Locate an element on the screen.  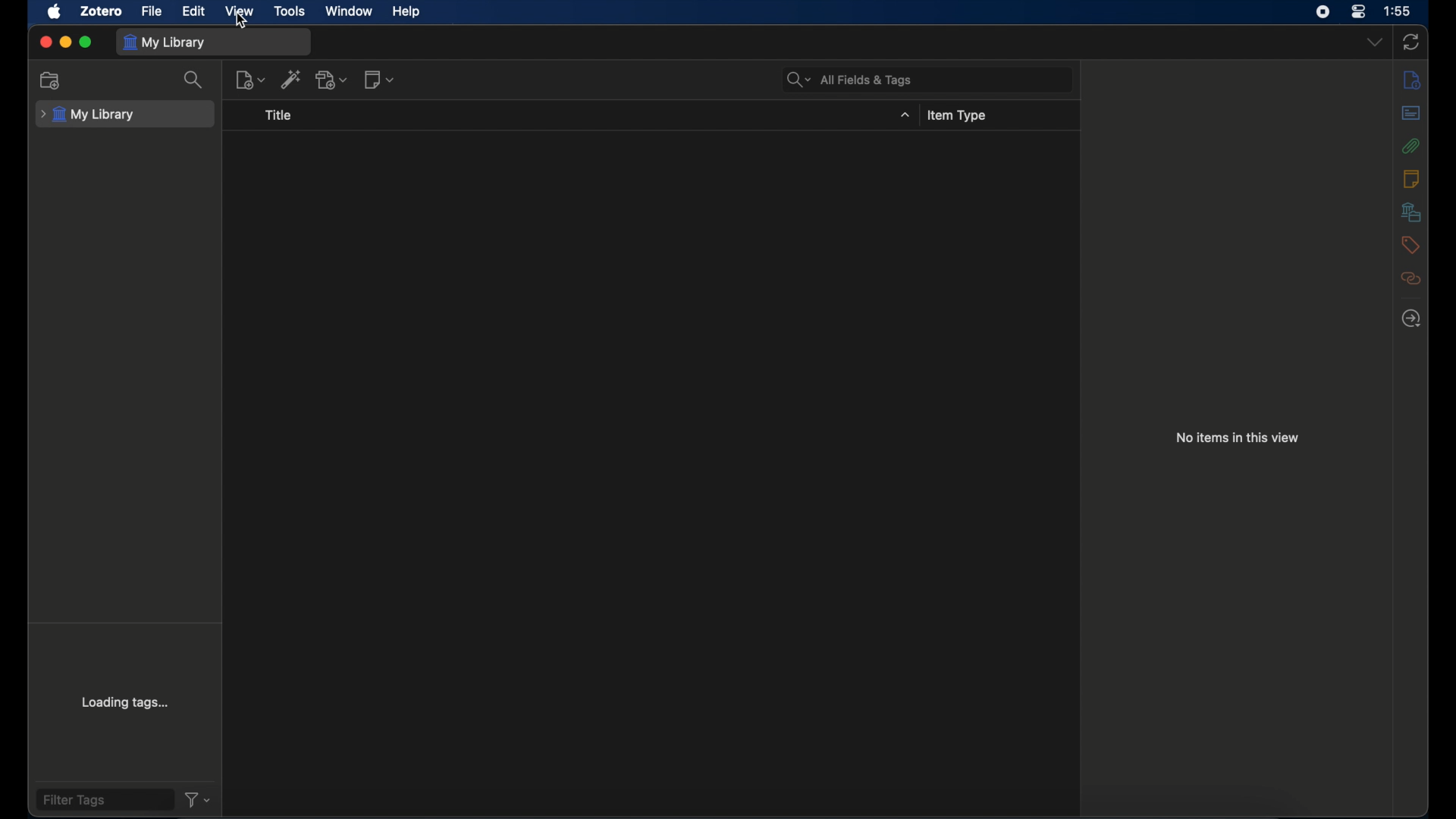
my library is located at coordinates (88, 112).